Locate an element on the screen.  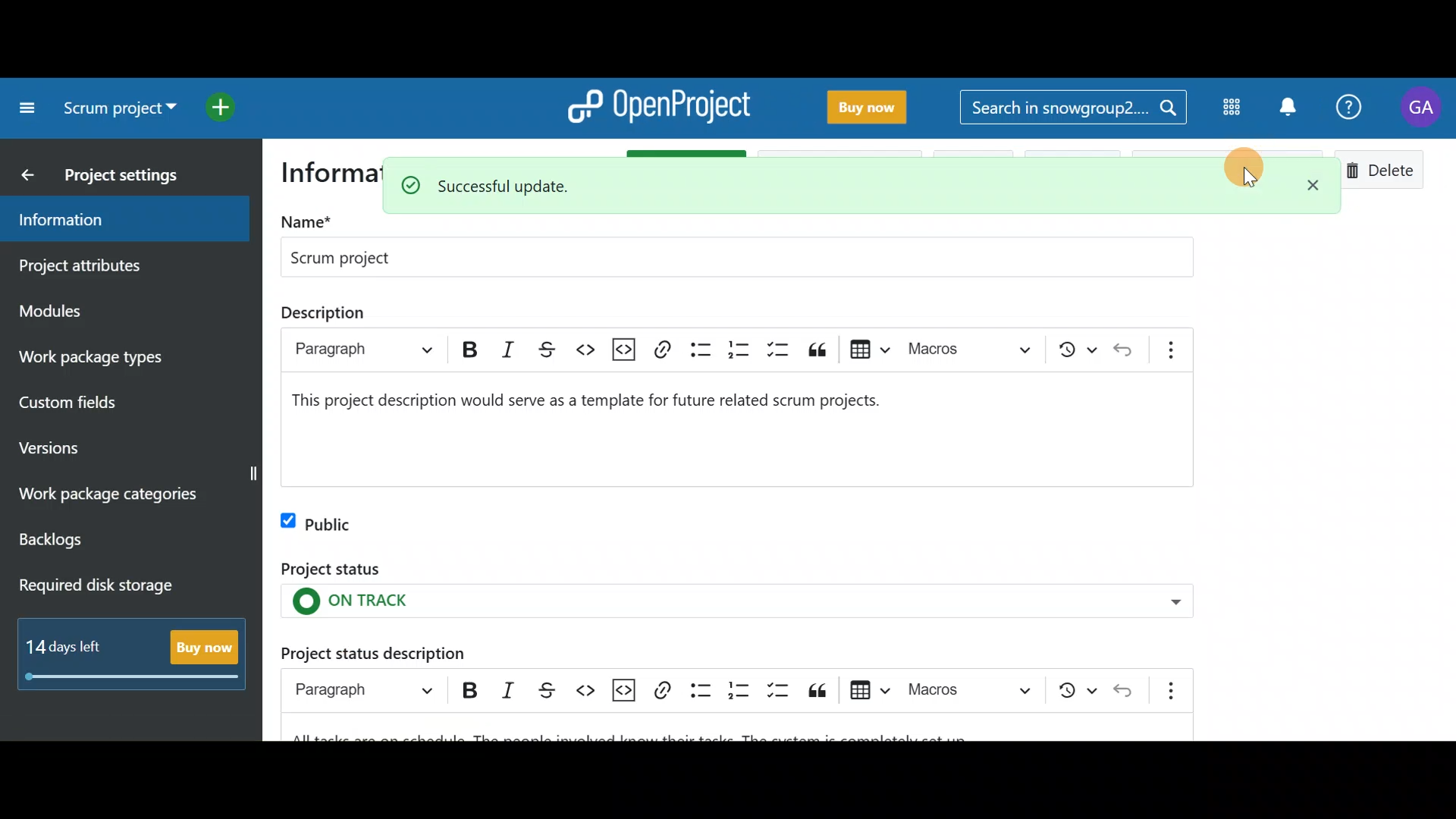
Search bar is located at coordinates (1072, 110).